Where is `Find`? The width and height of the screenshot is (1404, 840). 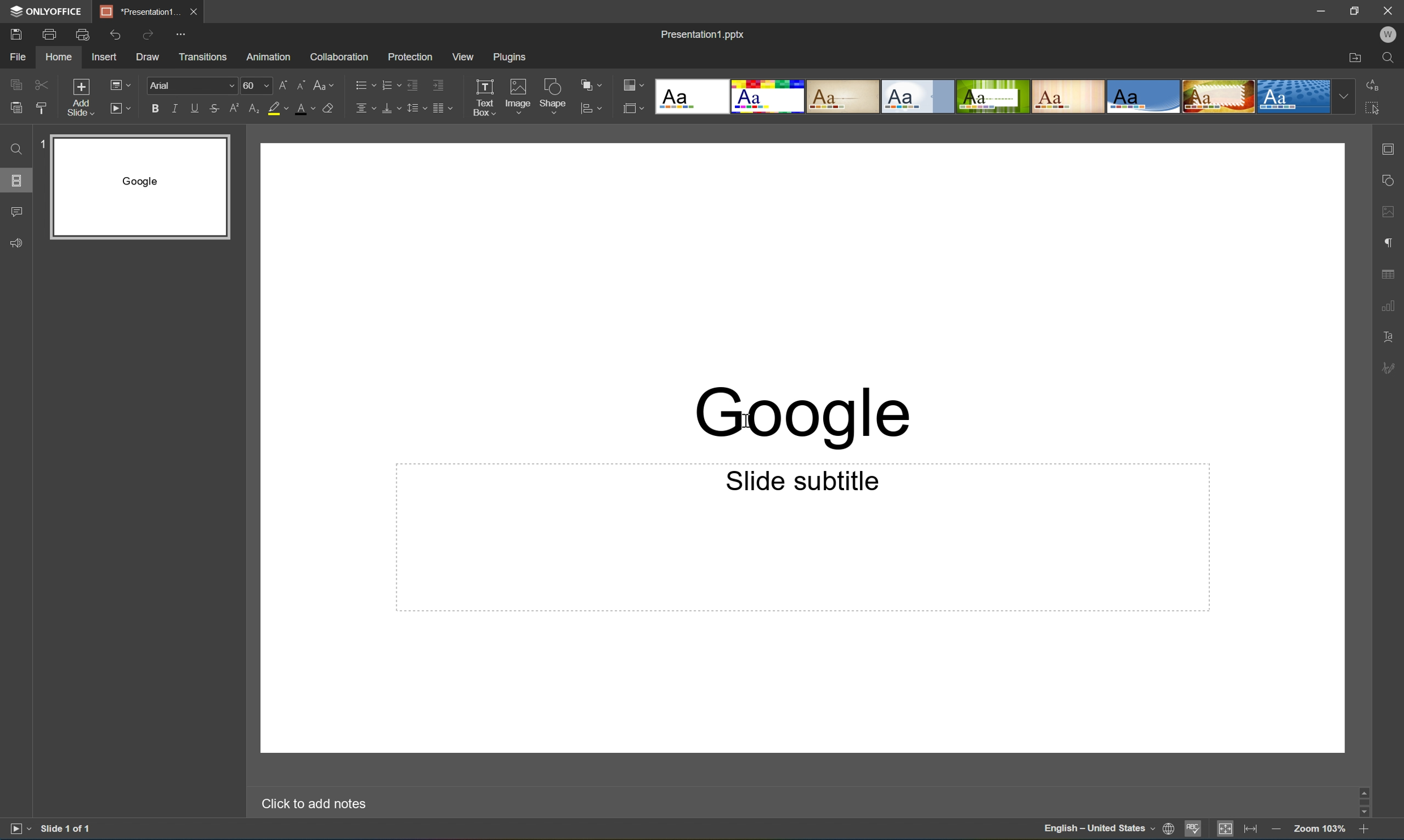 Find is located at coordinates (15, 149).